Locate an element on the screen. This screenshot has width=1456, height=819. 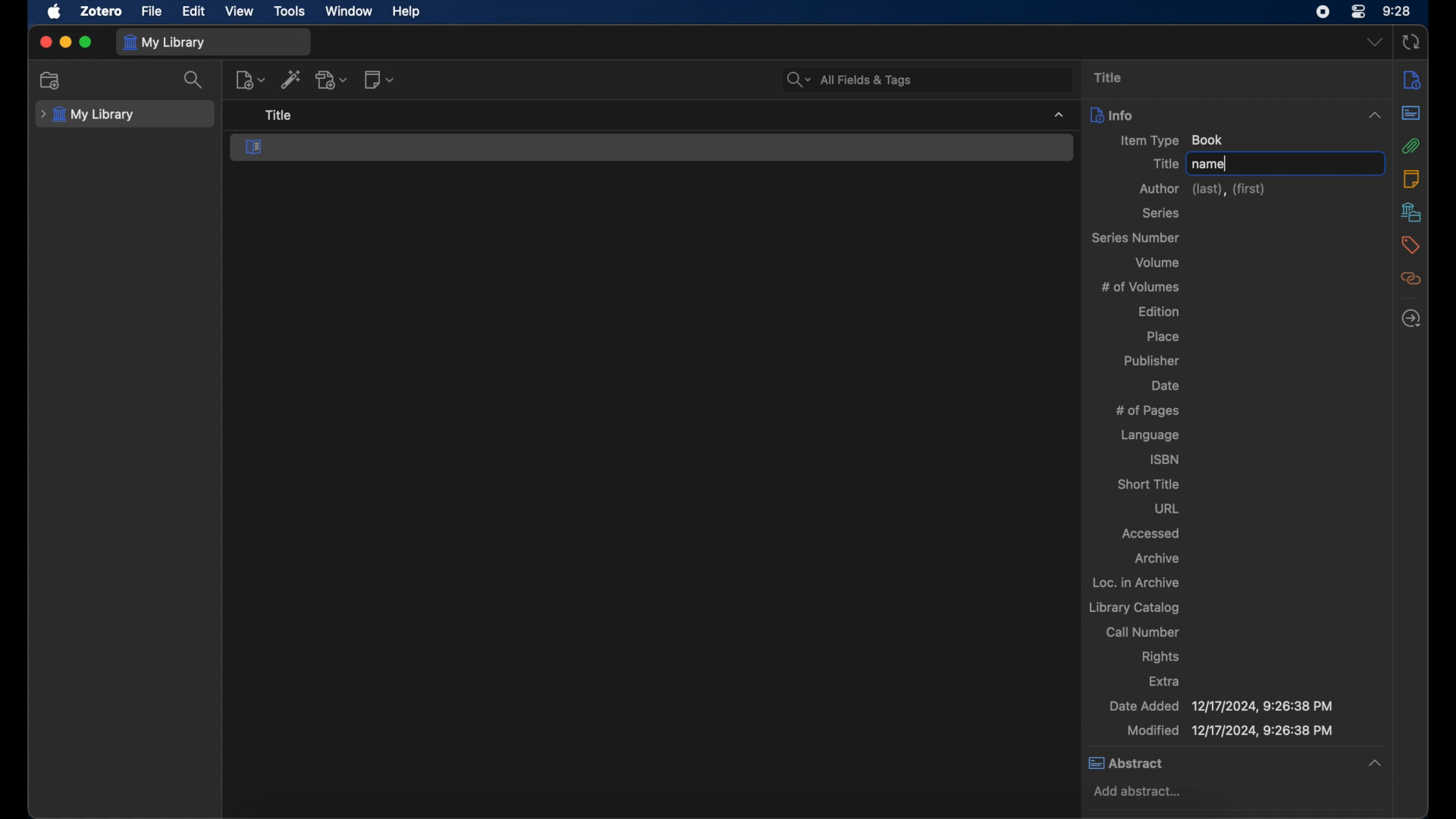
dropdown is located at coordinates (1059, 115).